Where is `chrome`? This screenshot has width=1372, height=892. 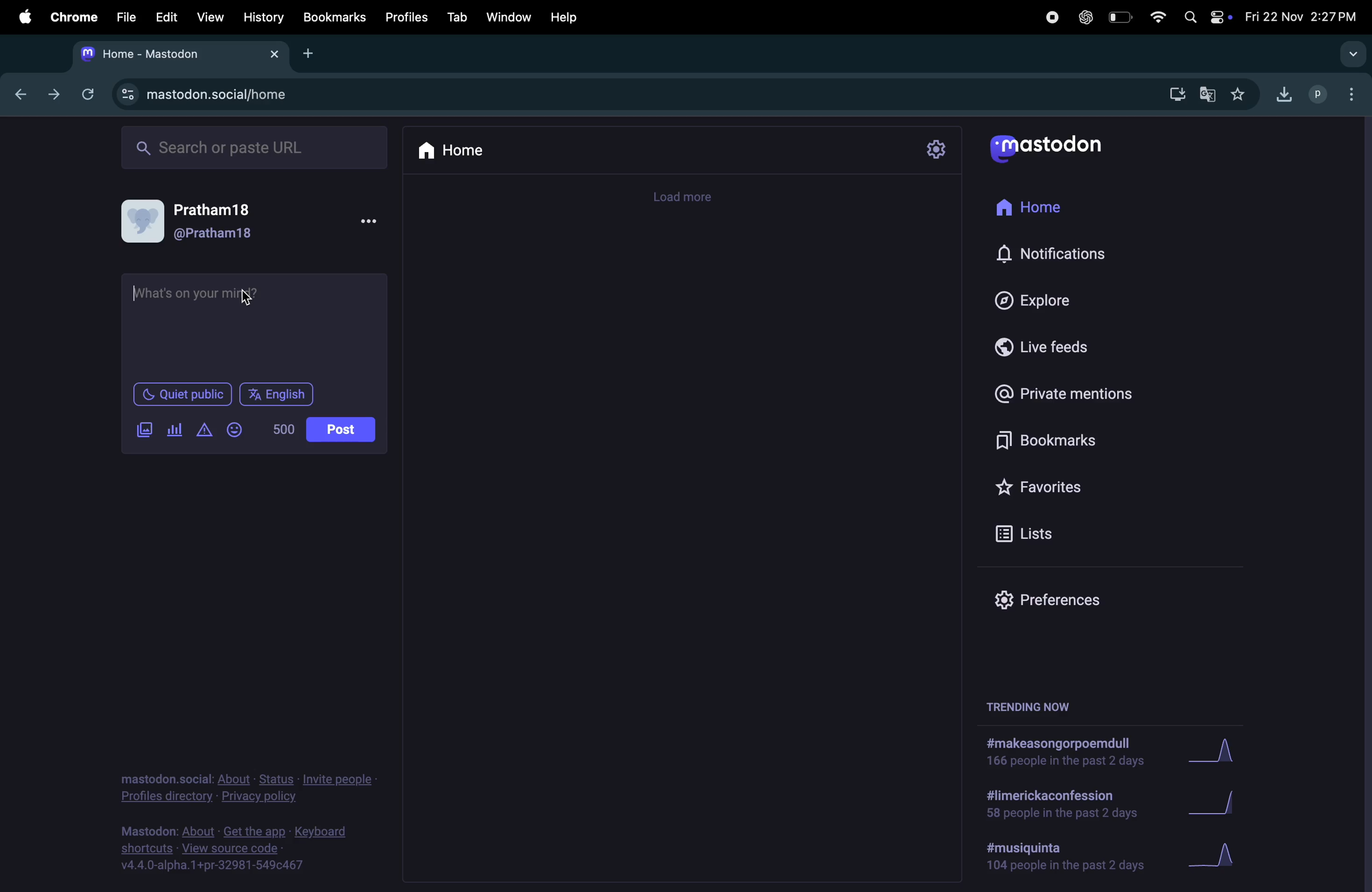 chrome is located at coordinates (74, 16).